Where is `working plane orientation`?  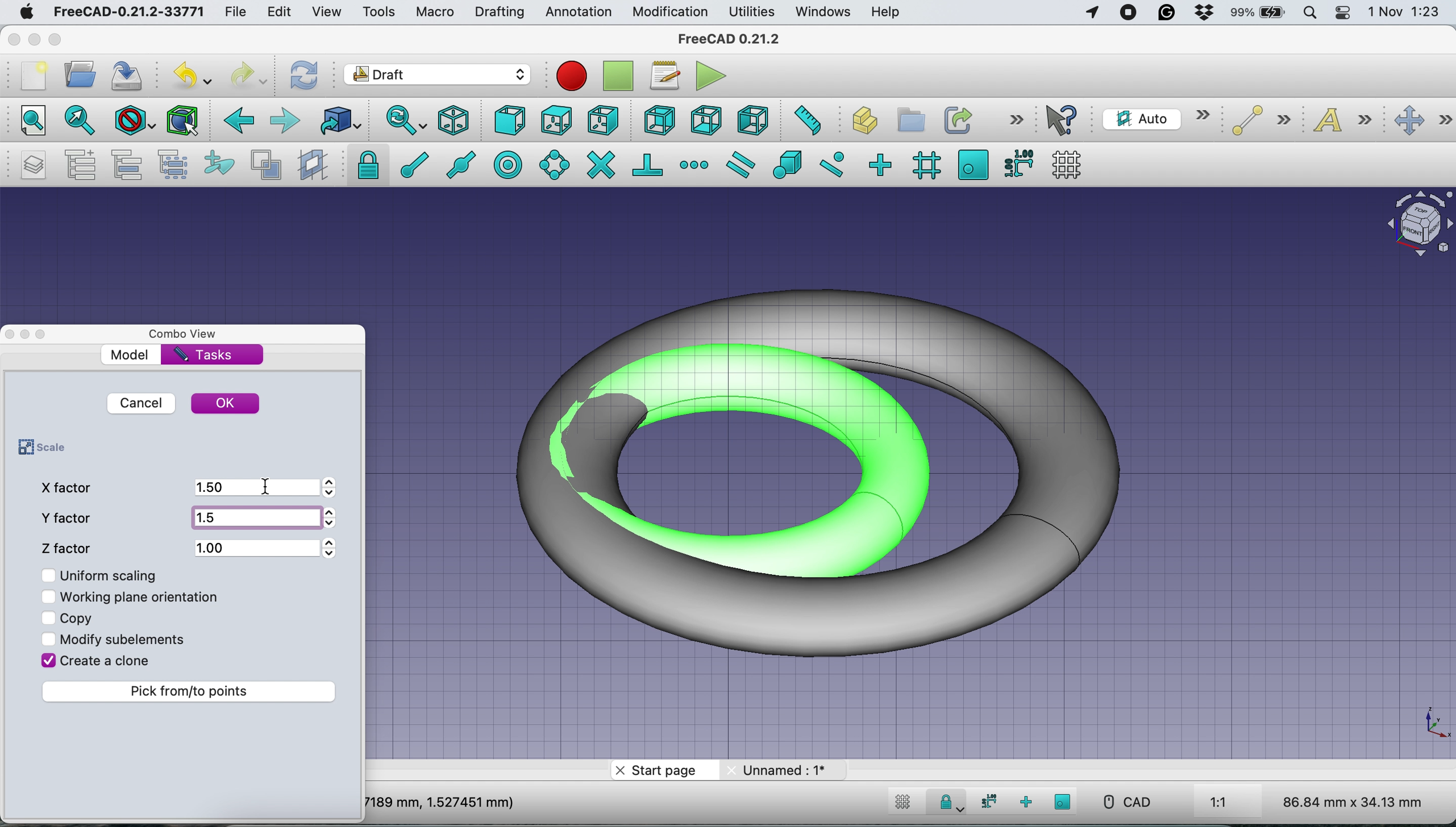 working plane orientation is located at coordinates (145, 596).